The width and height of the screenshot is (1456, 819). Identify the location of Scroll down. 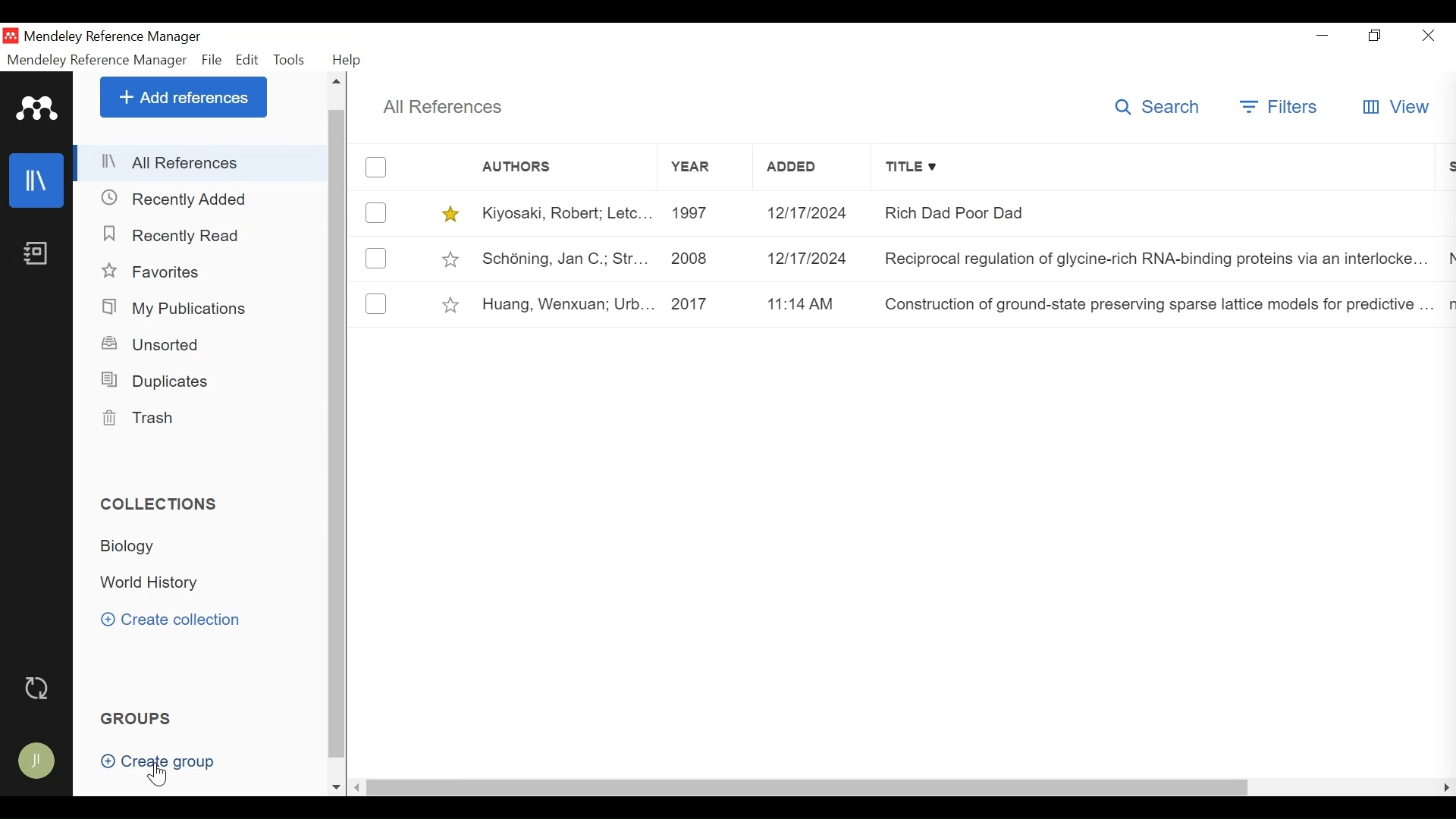
(338, 786).